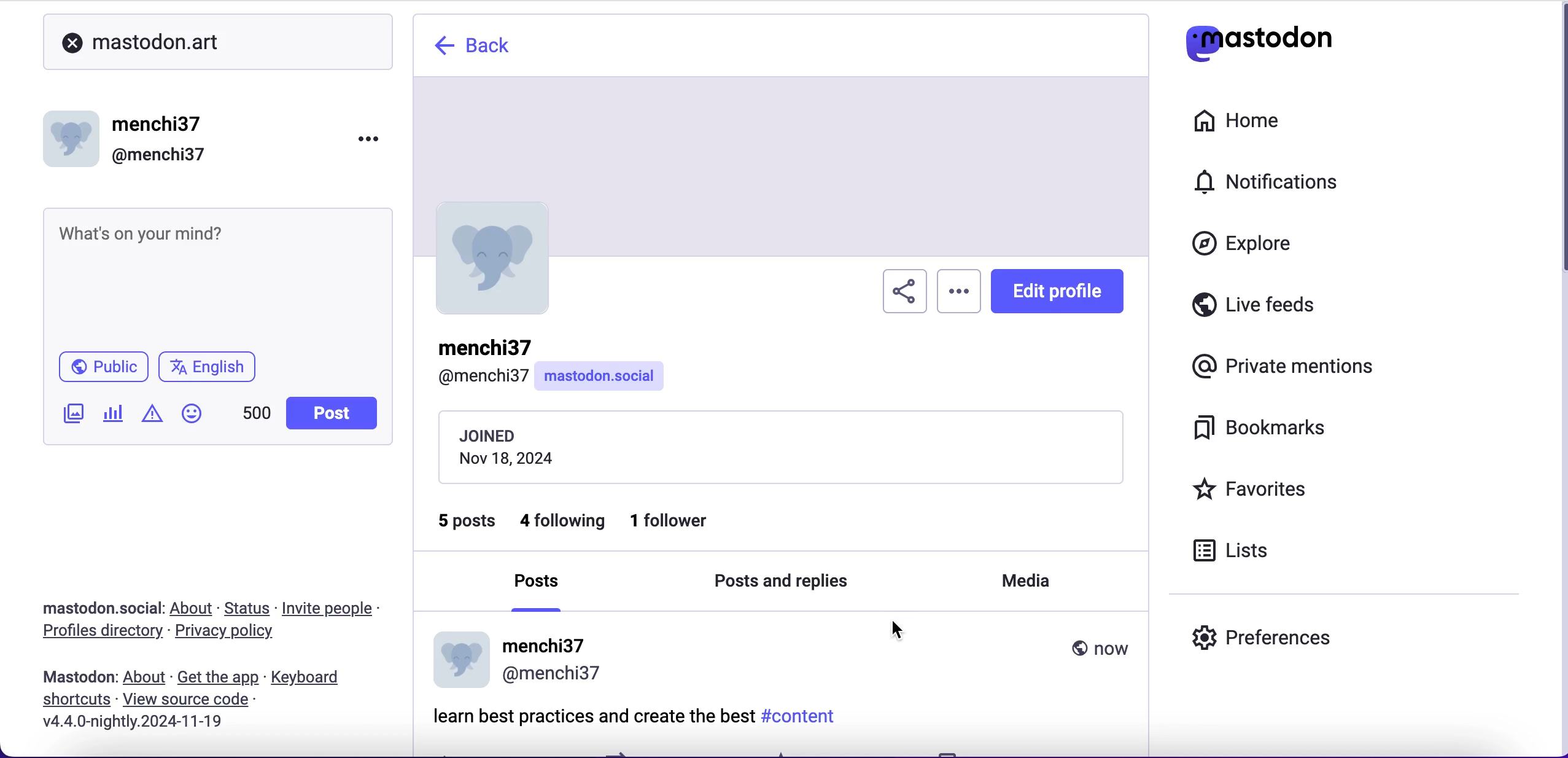 The width and height of the screenshot is (1568, 758). What do you see at coordinates (1019, 580) in the screenshot?
I see `media` at bounding box center [1019, 580].